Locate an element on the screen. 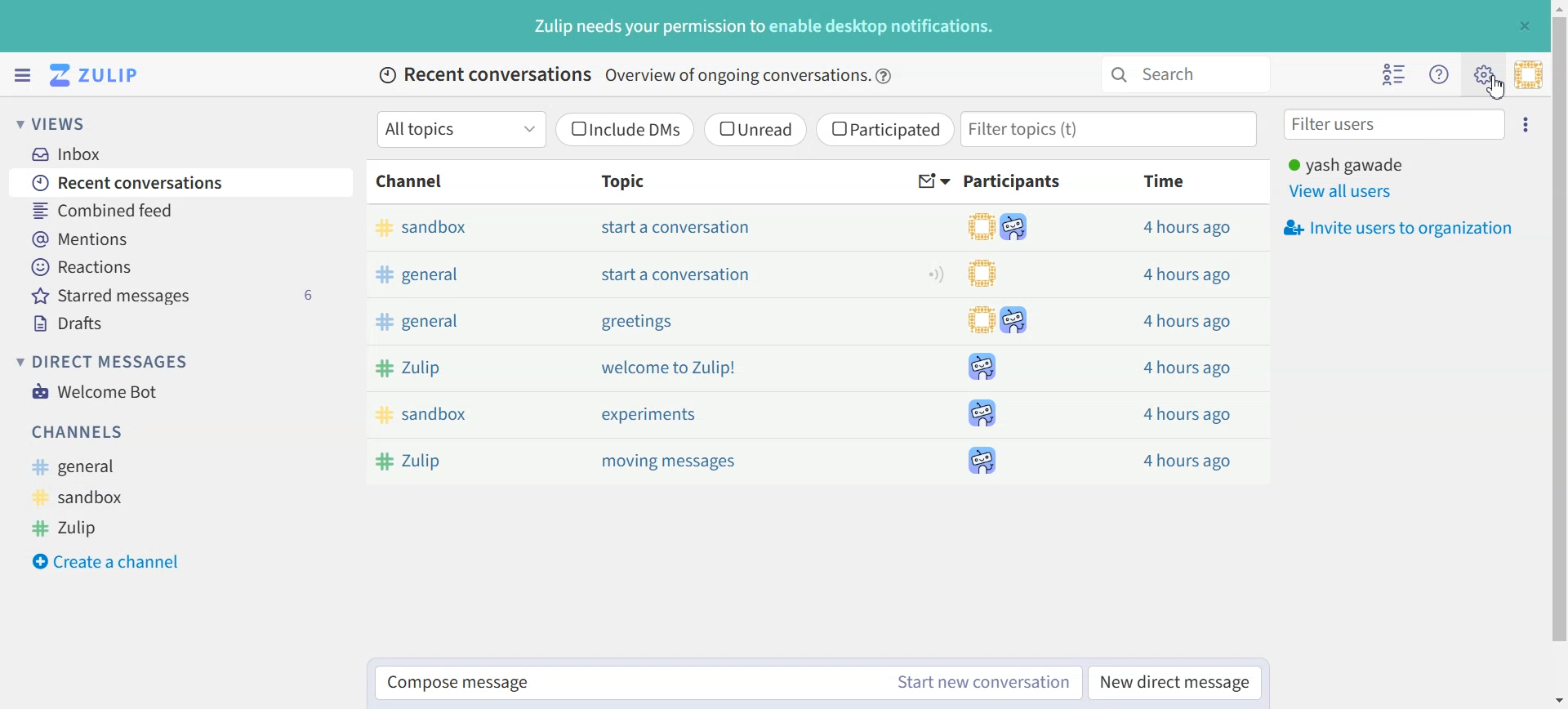  4 hours ago is located at coordinates (1183, 322).